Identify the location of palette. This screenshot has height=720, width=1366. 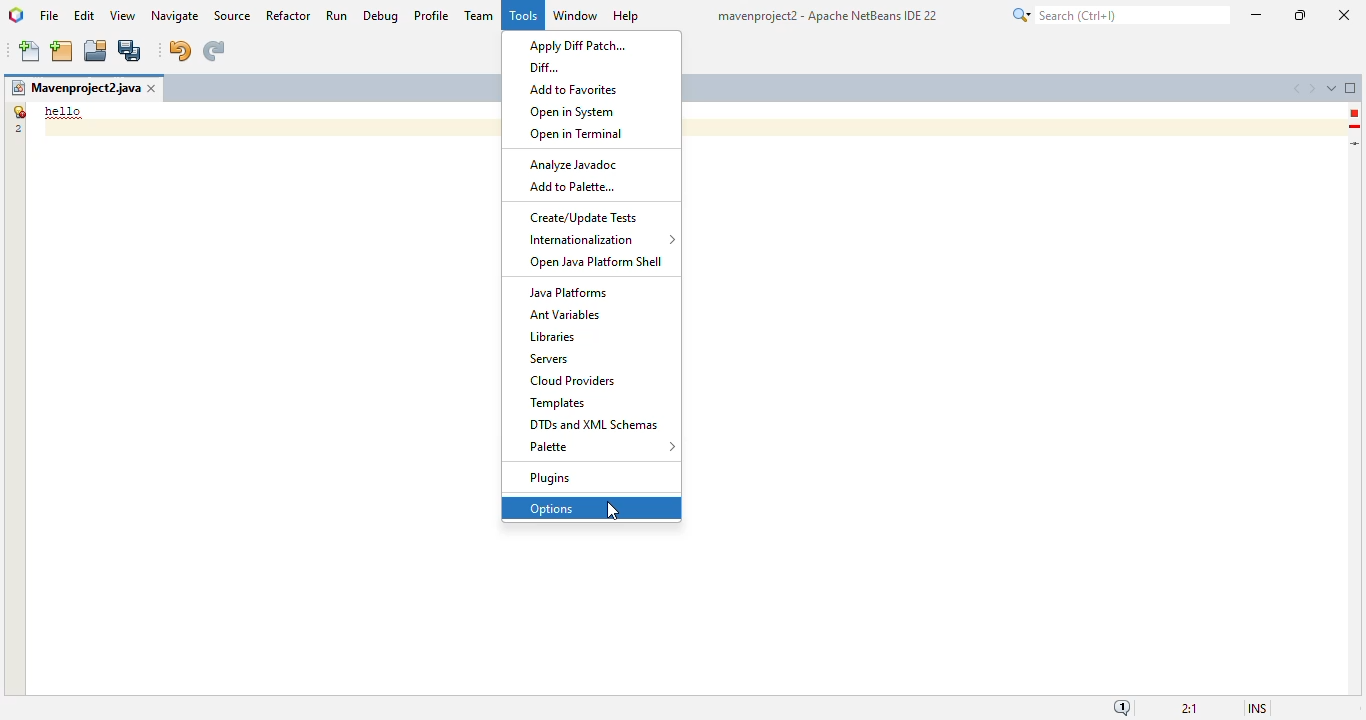
(600, 446).